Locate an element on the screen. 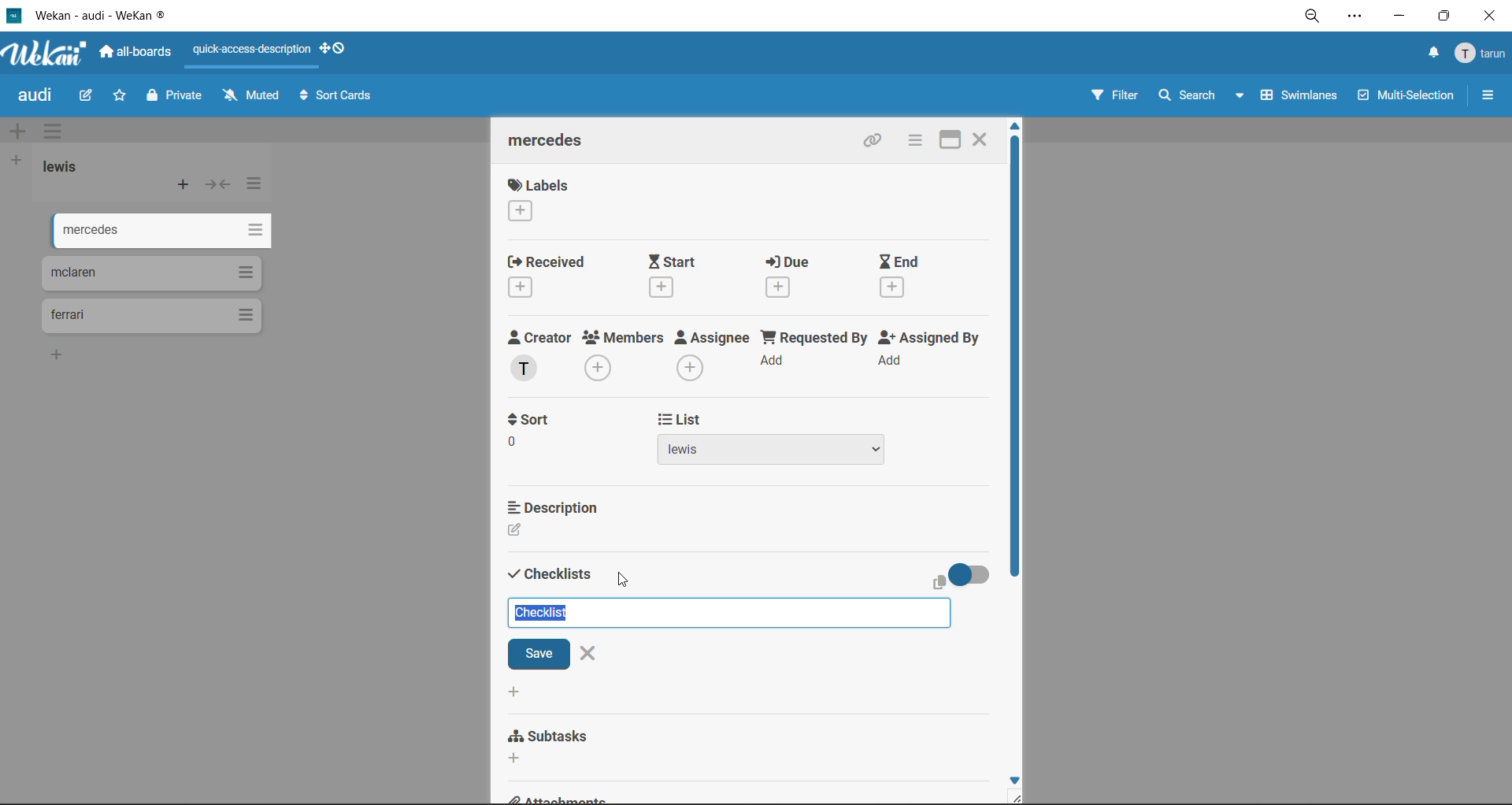 Image resolution: width=1512 pixels, height=805 pixels. copy is located at coordinates (875, 143).